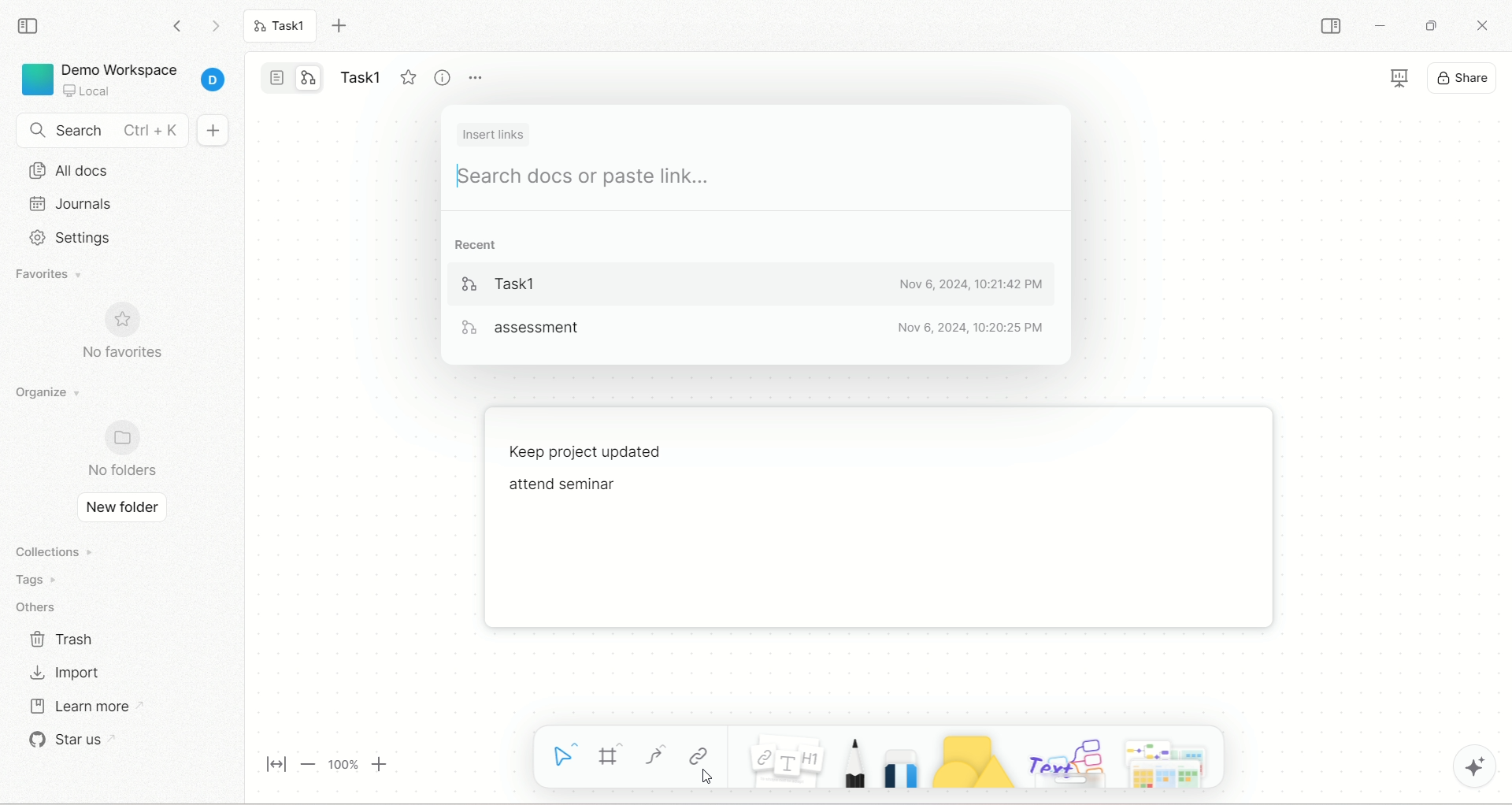  What do you see at coordinates (1477, 763) in the screenshot?
I see `AFFiNE AI` at bounding box center [1477, 763].